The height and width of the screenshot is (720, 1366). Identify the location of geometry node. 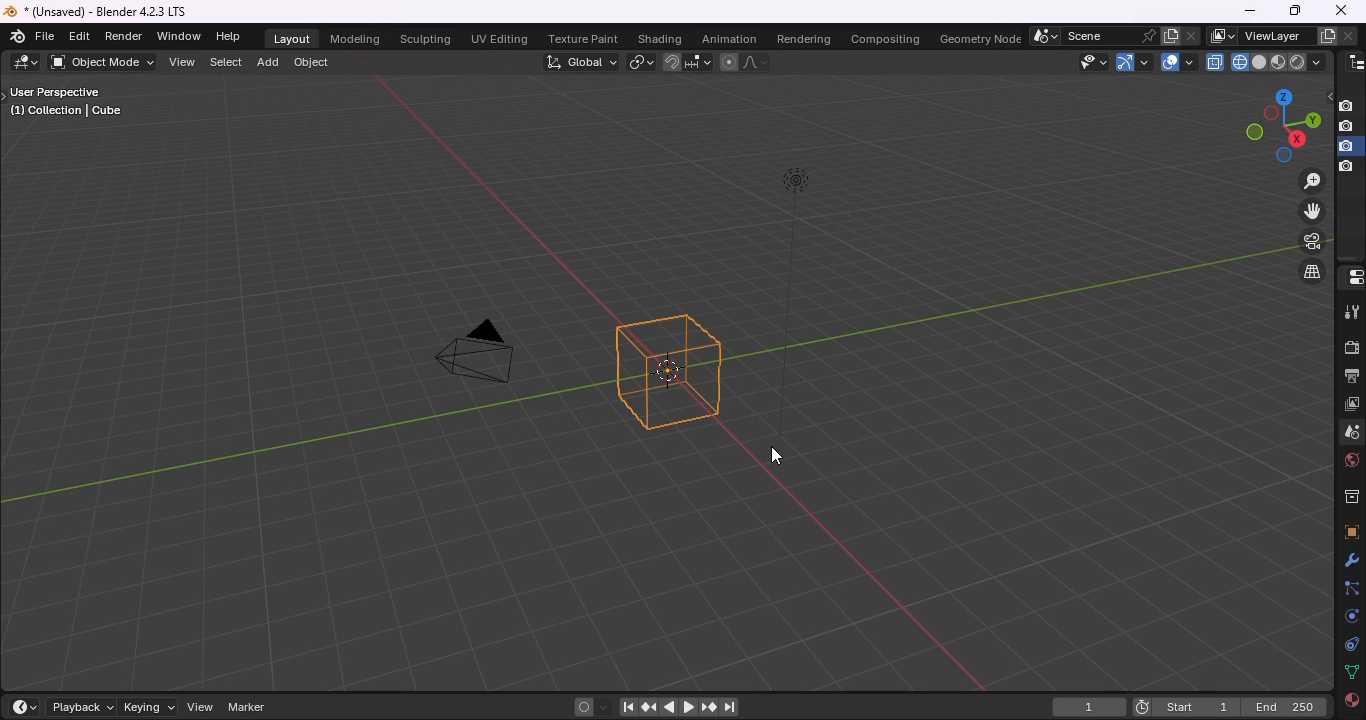
(981, 40).